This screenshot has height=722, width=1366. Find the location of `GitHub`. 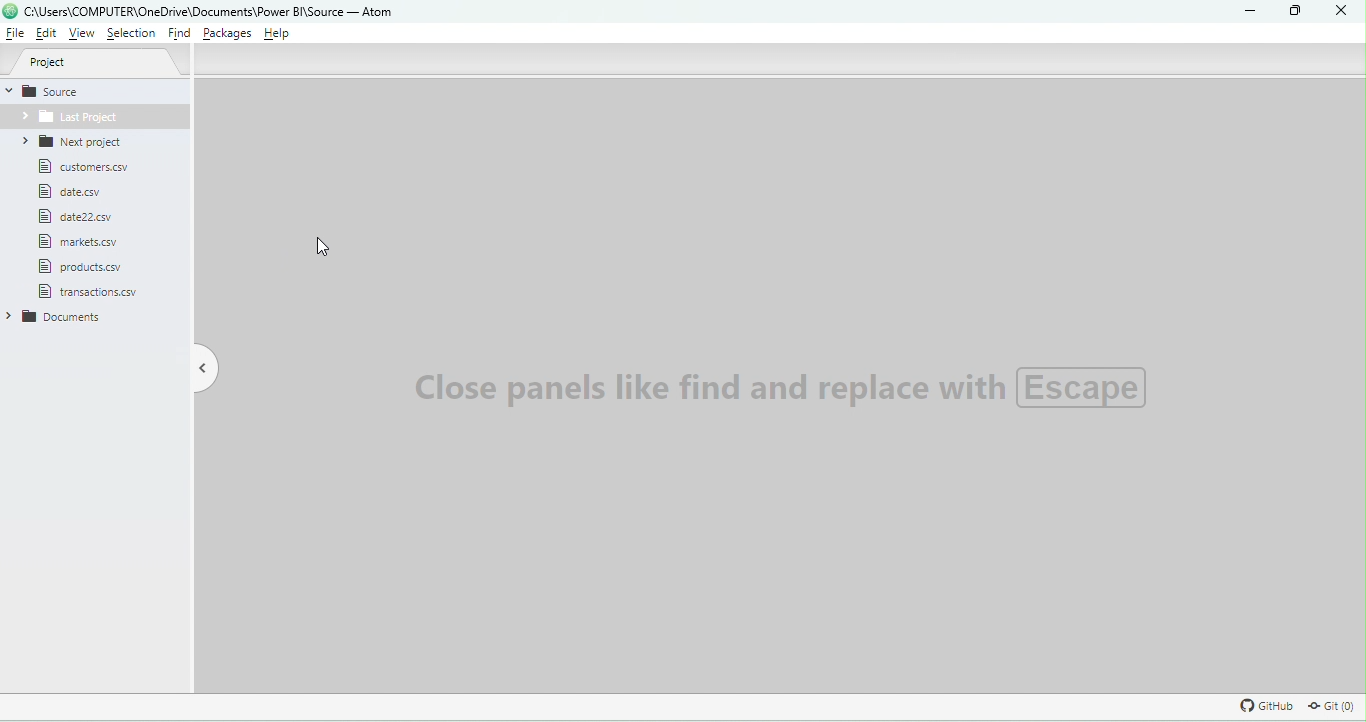

GitHub is located at coordinates (1264, 705).